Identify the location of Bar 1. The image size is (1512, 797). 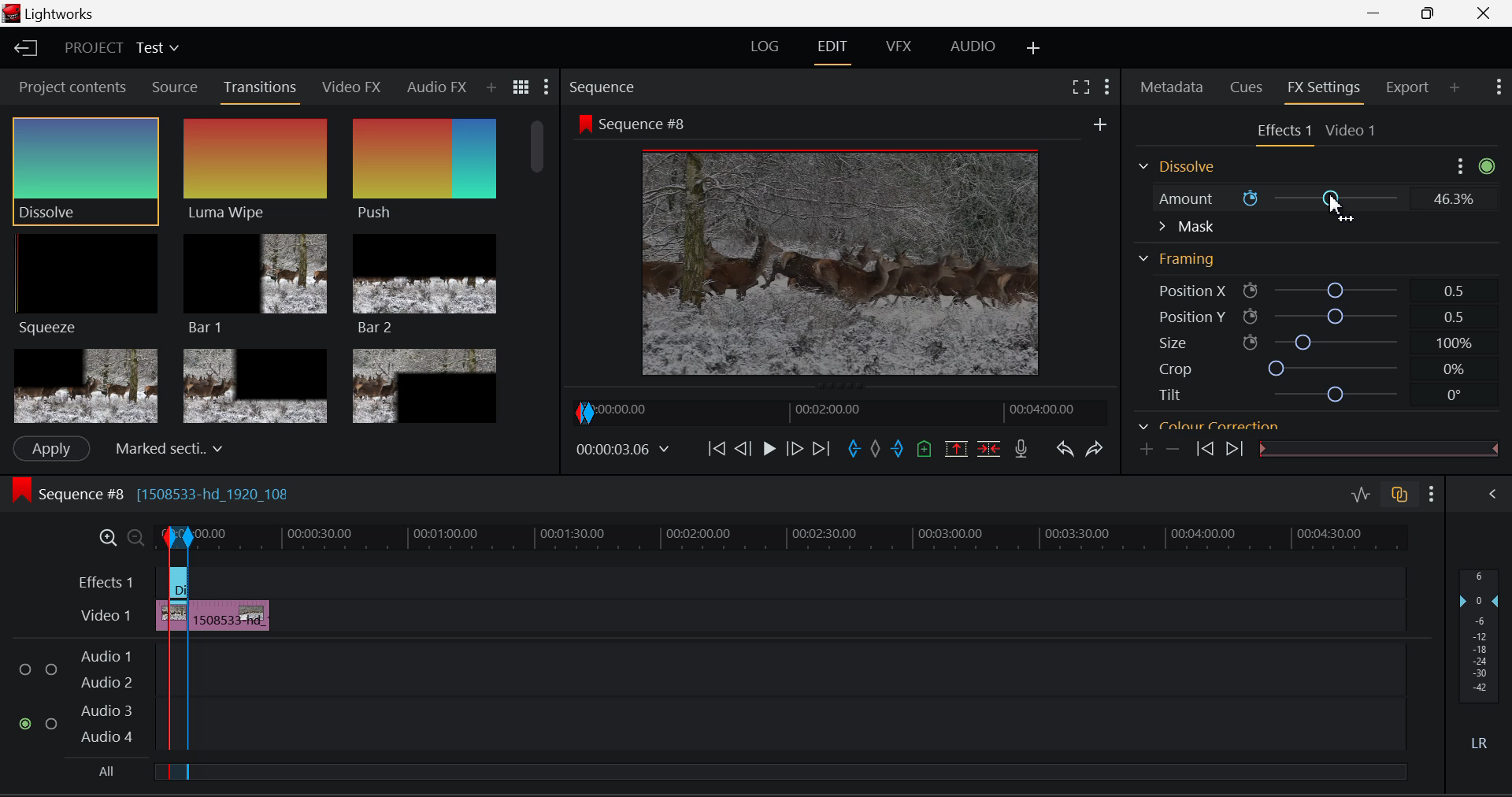
(256, 283).